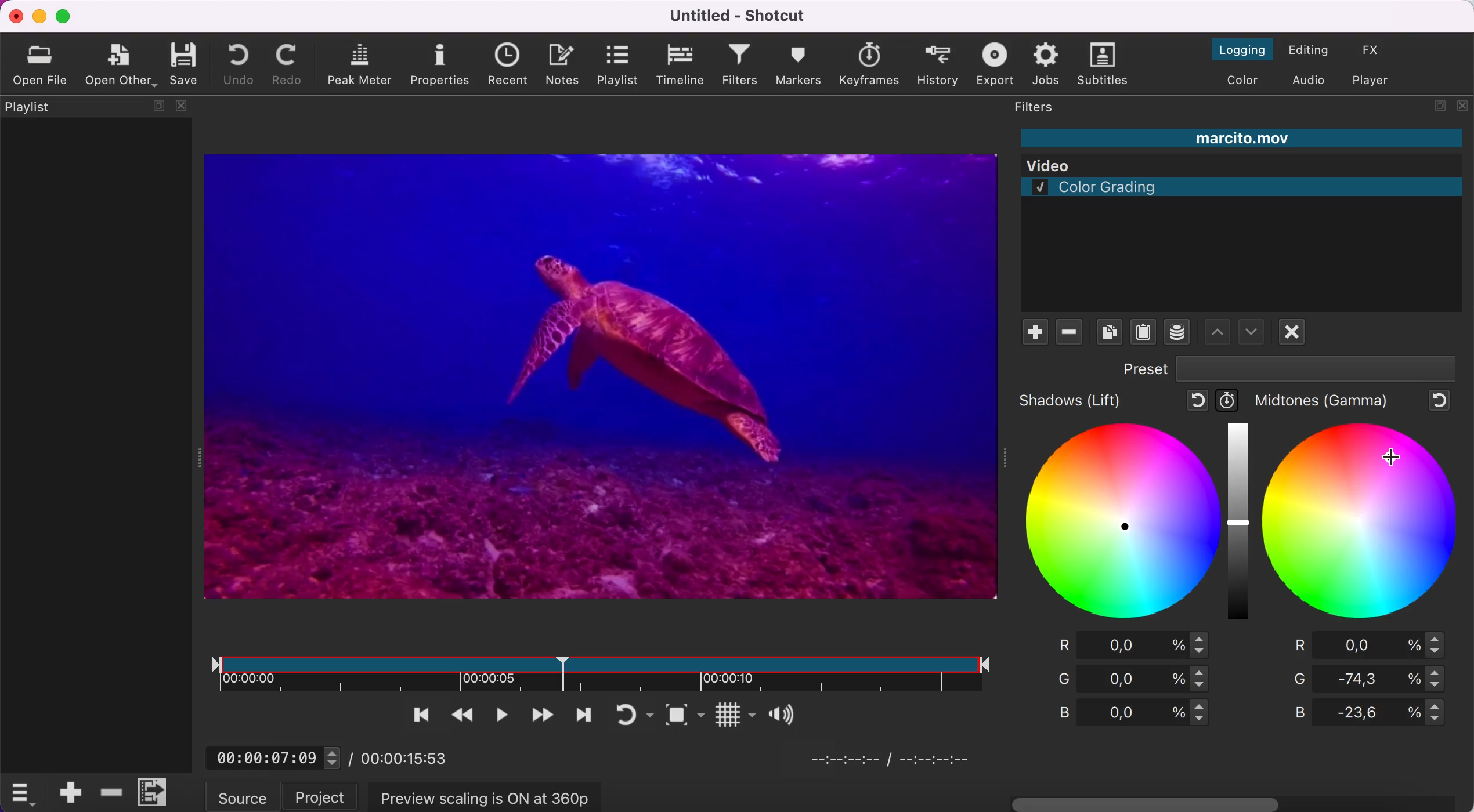 The width and height of the screenshot is (1474, 812). I want to click on red, so click(1133, 643).